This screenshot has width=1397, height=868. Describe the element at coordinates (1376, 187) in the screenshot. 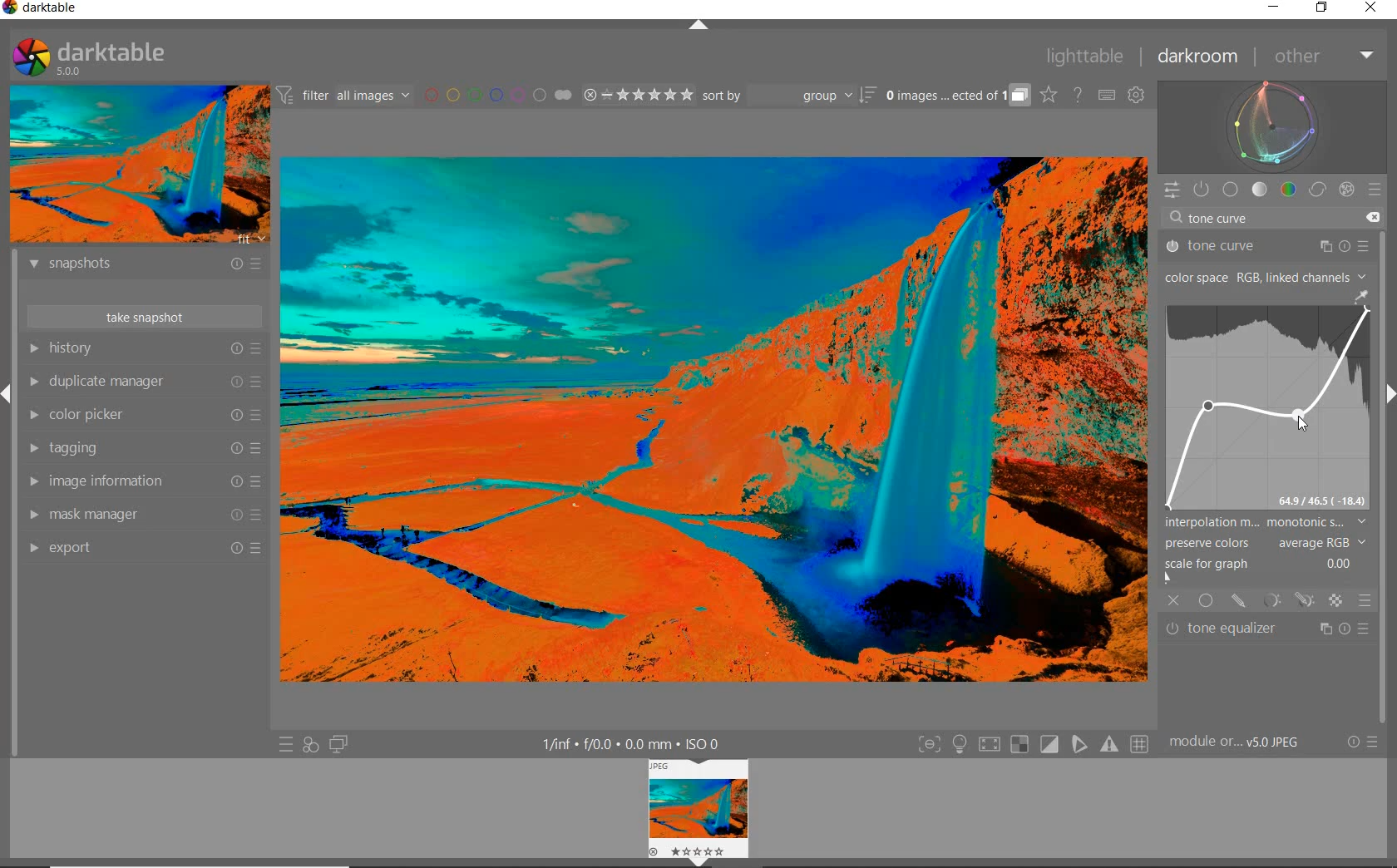

I see `preset` at that location.